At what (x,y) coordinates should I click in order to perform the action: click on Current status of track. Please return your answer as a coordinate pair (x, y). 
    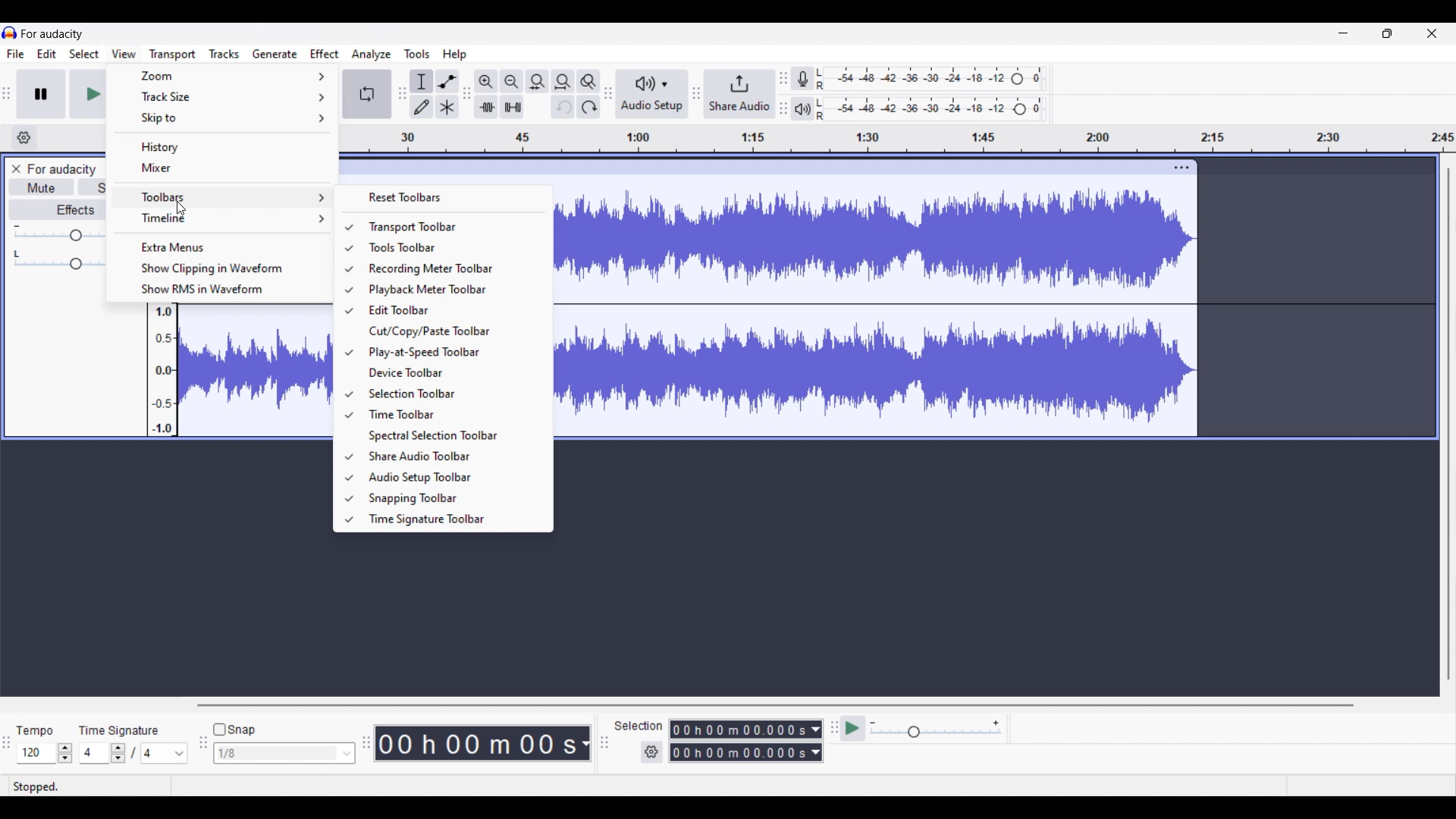
    Looking at the image, I should click on (36, 786).